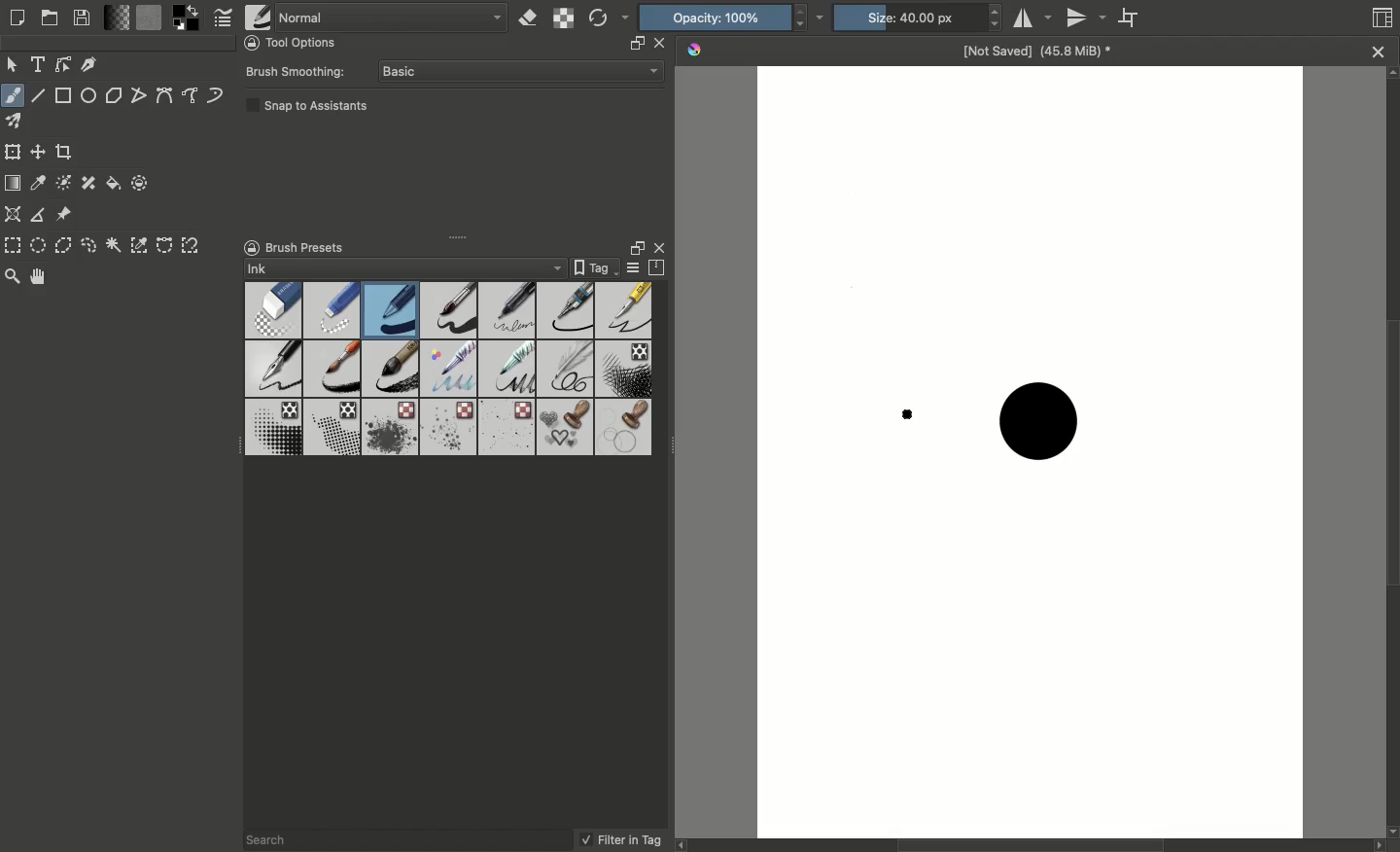 This screenshot has width=1400, height=852. What do you see at coordinates (39, 215) in the screenshot?
I see `Measure distance` at bounding box center [39, 215].